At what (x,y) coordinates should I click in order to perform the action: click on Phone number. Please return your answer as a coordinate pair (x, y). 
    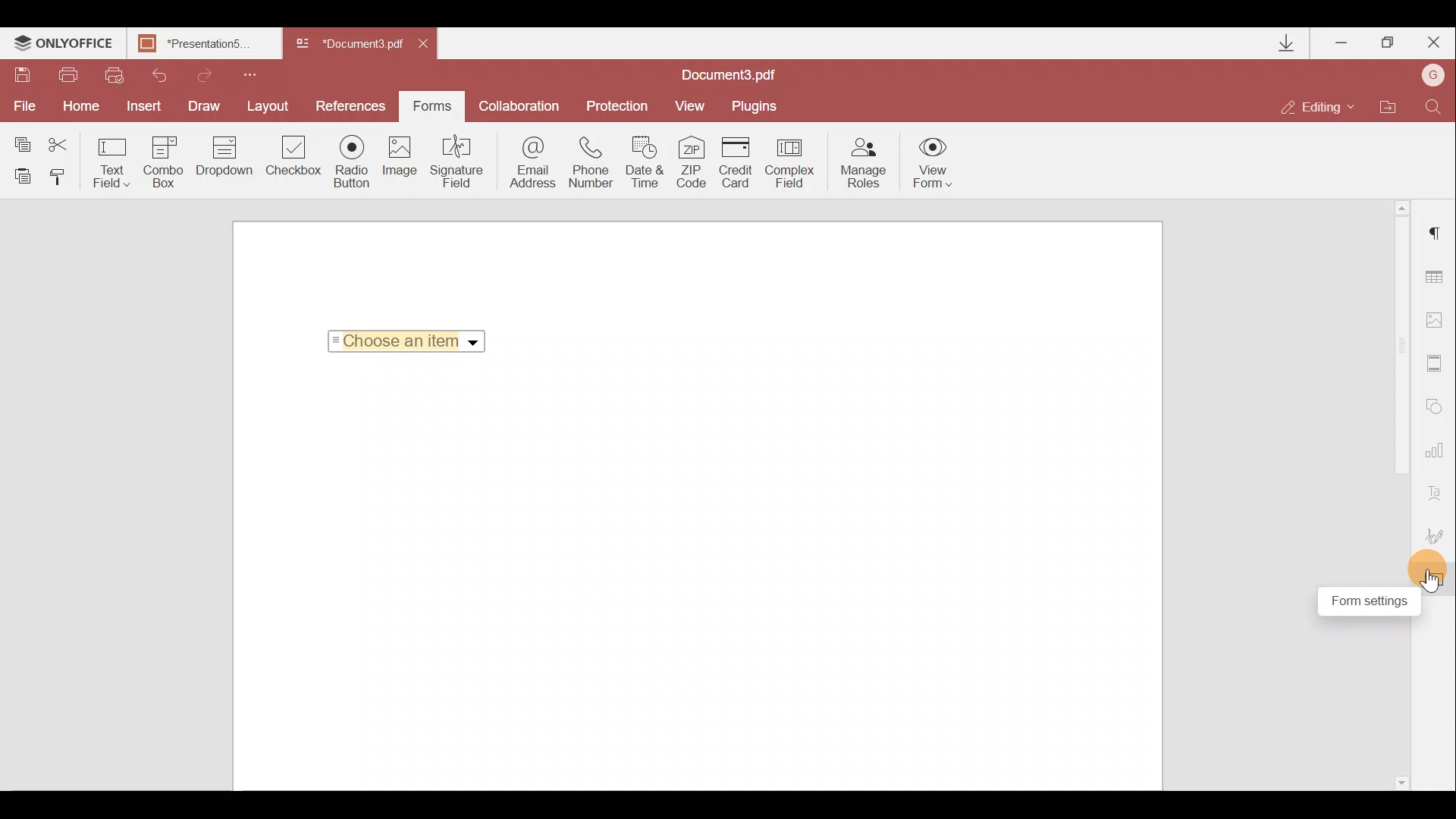
    Looking at the image, I should click on (593, 163).